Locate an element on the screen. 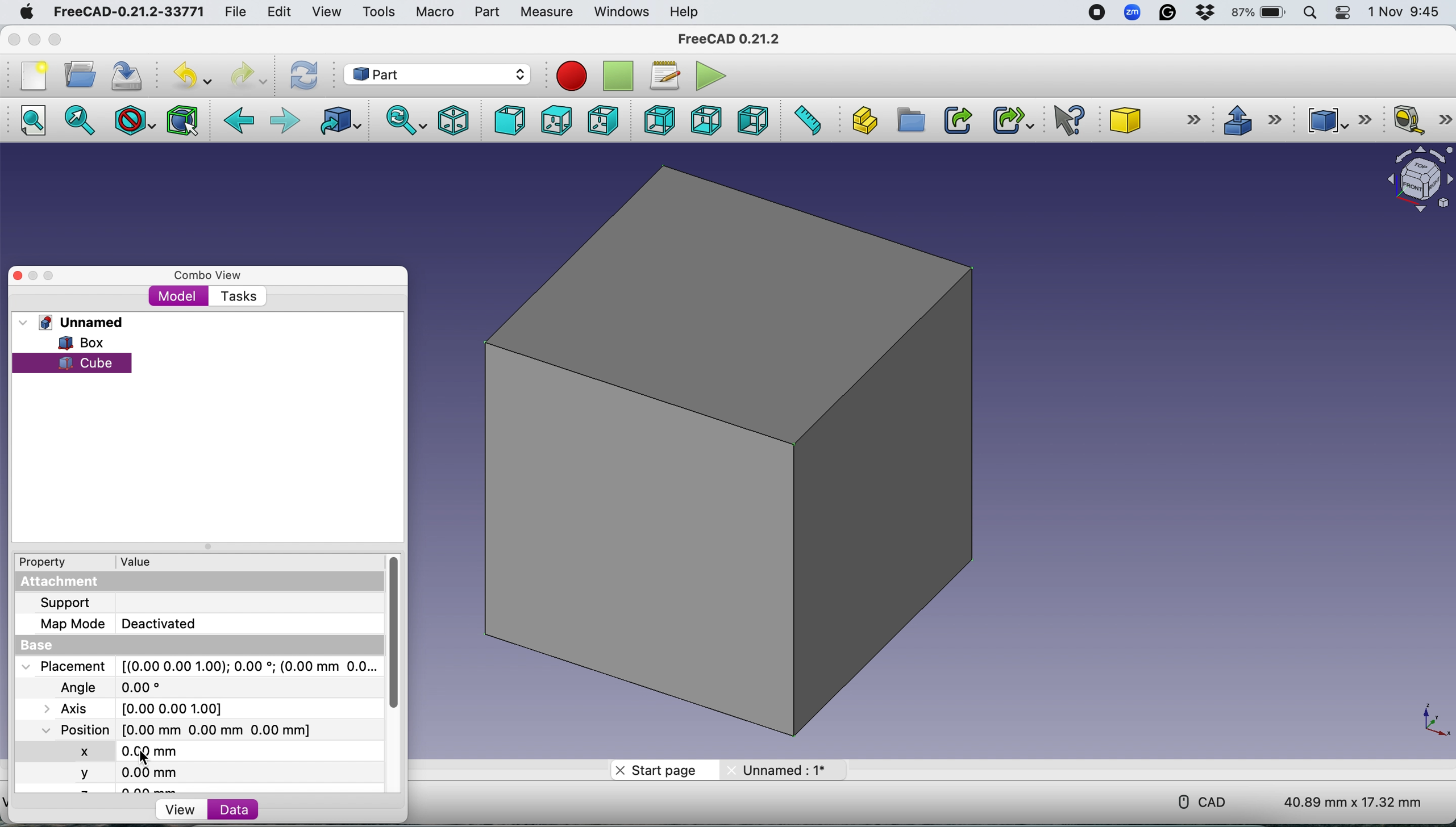 The height and width of the screenshot is (827, 1456). cube selected is located at coordinates (78, 364).